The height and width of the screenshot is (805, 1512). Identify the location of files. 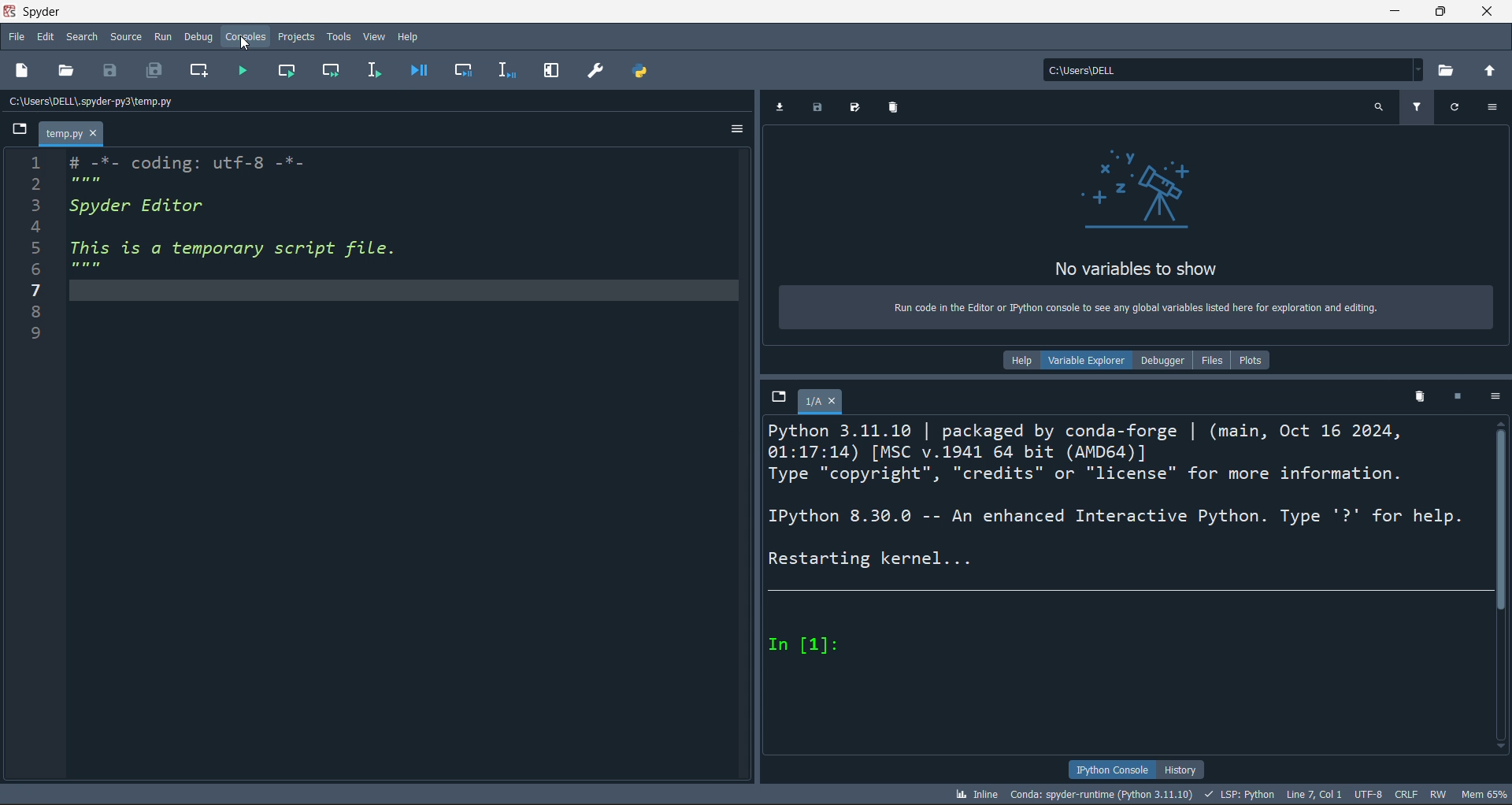
(1212, 358).